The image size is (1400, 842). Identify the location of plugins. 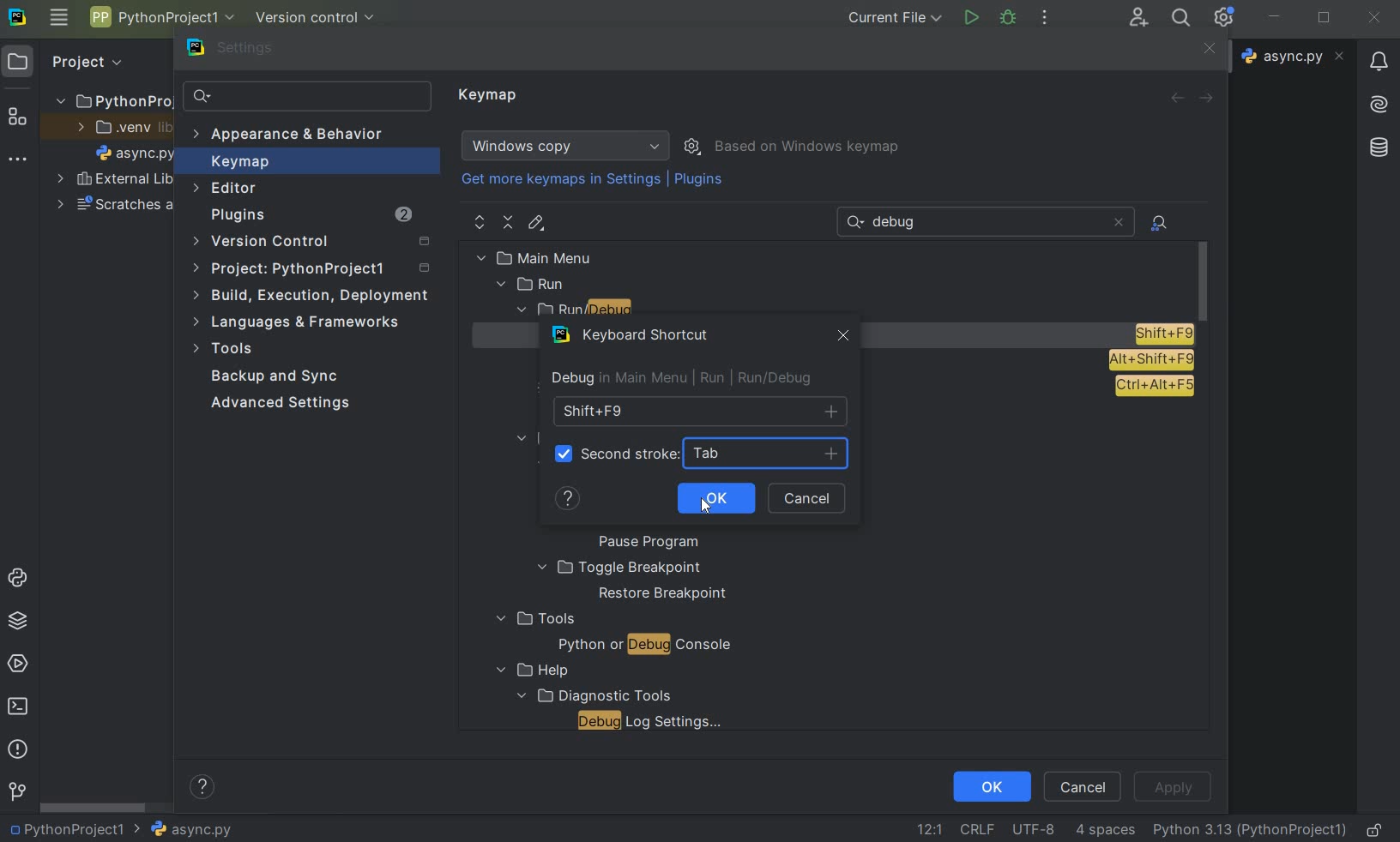
(701, 183).